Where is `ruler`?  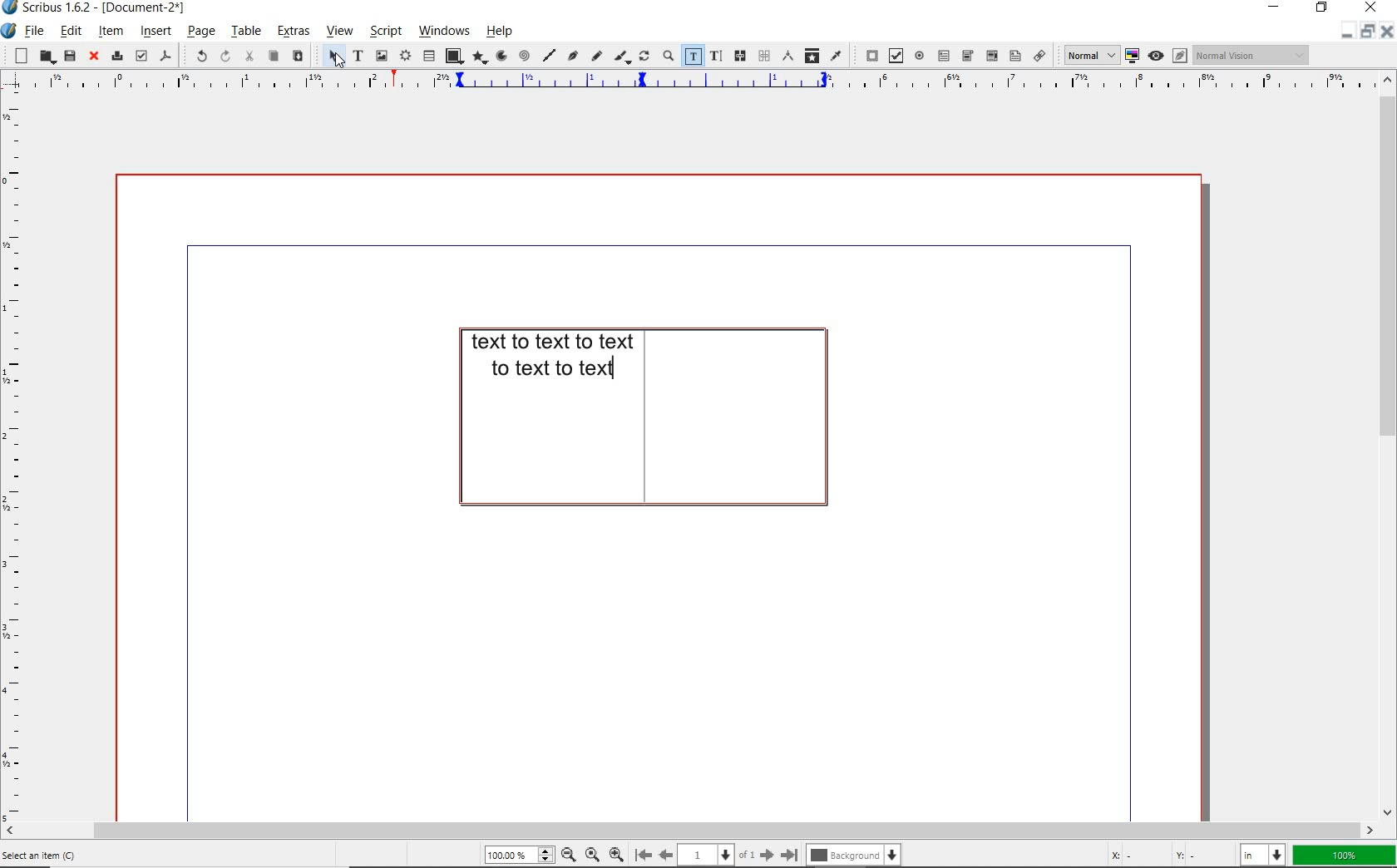 ruler is located at coordinates (17, 456).